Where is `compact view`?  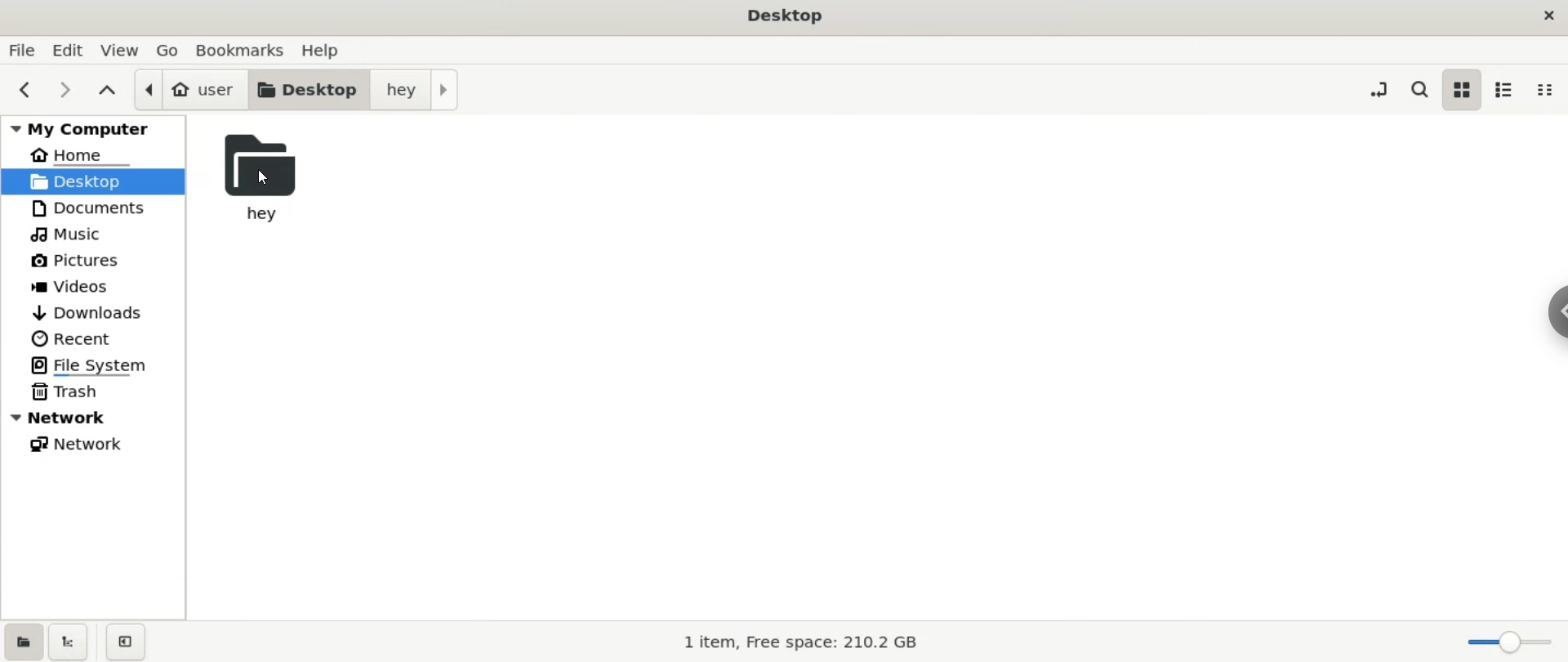 compact view is located at coordinates (1545, 87).